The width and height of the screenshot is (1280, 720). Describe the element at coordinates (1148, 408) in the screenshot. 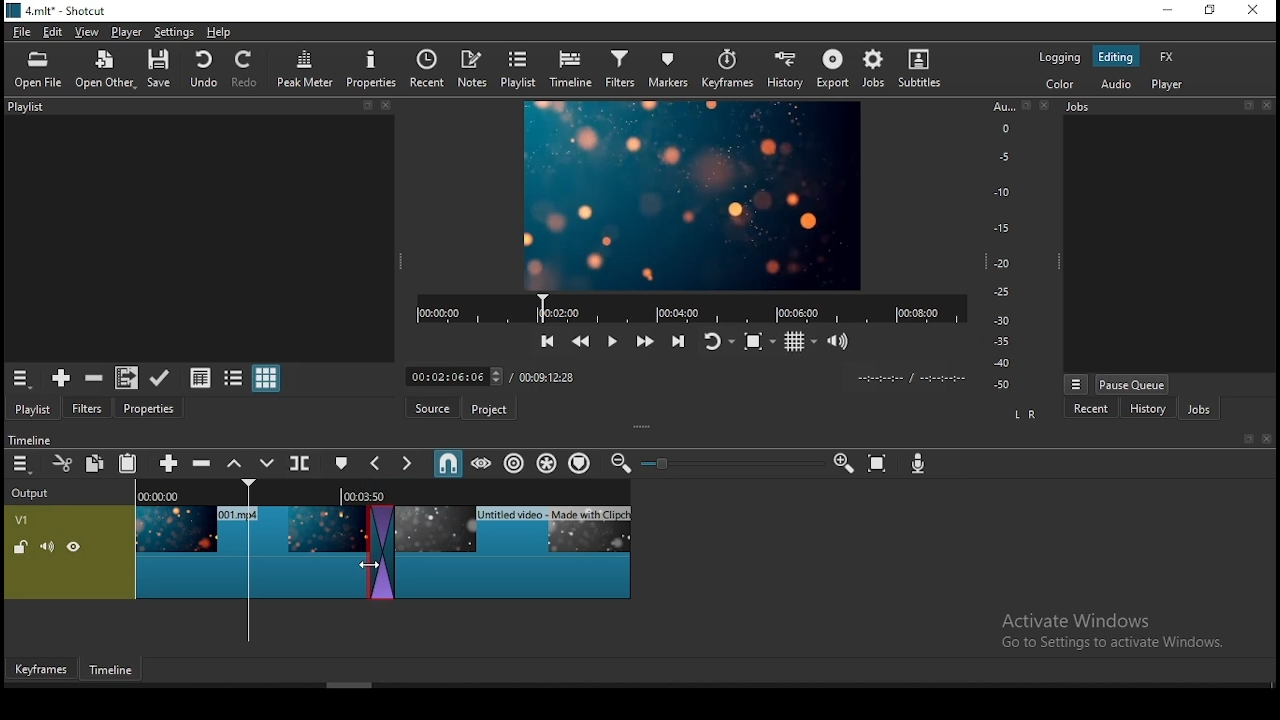

I see `history` at that location.